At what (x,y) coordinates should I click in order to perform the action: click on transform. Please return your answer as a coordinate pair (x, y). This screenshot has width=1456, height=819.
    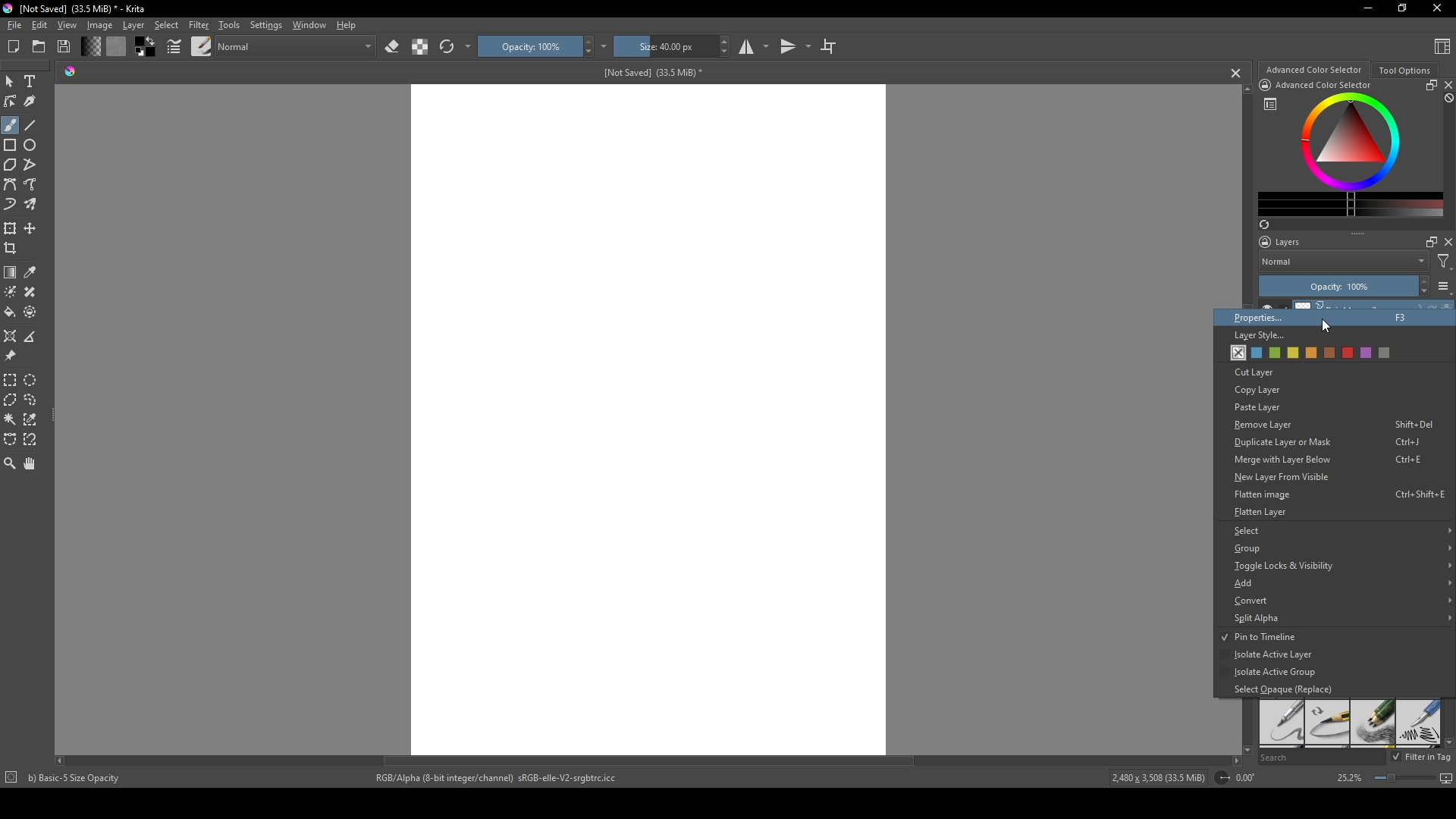
    Looking at the image, I should click on (11, 227).